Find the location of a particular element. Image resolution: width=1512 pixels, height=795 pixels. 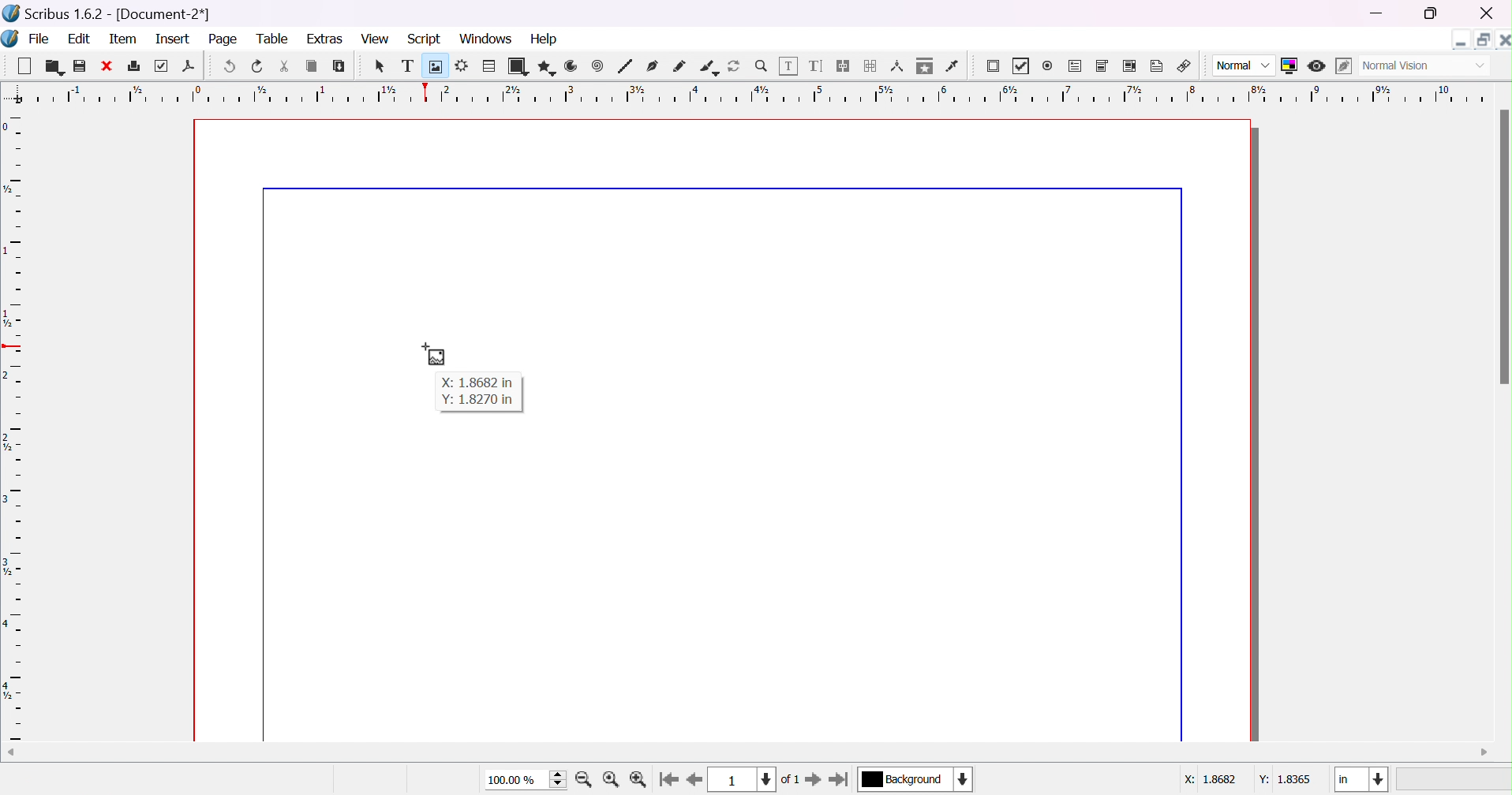

edit is located at coordinates (79, 38).